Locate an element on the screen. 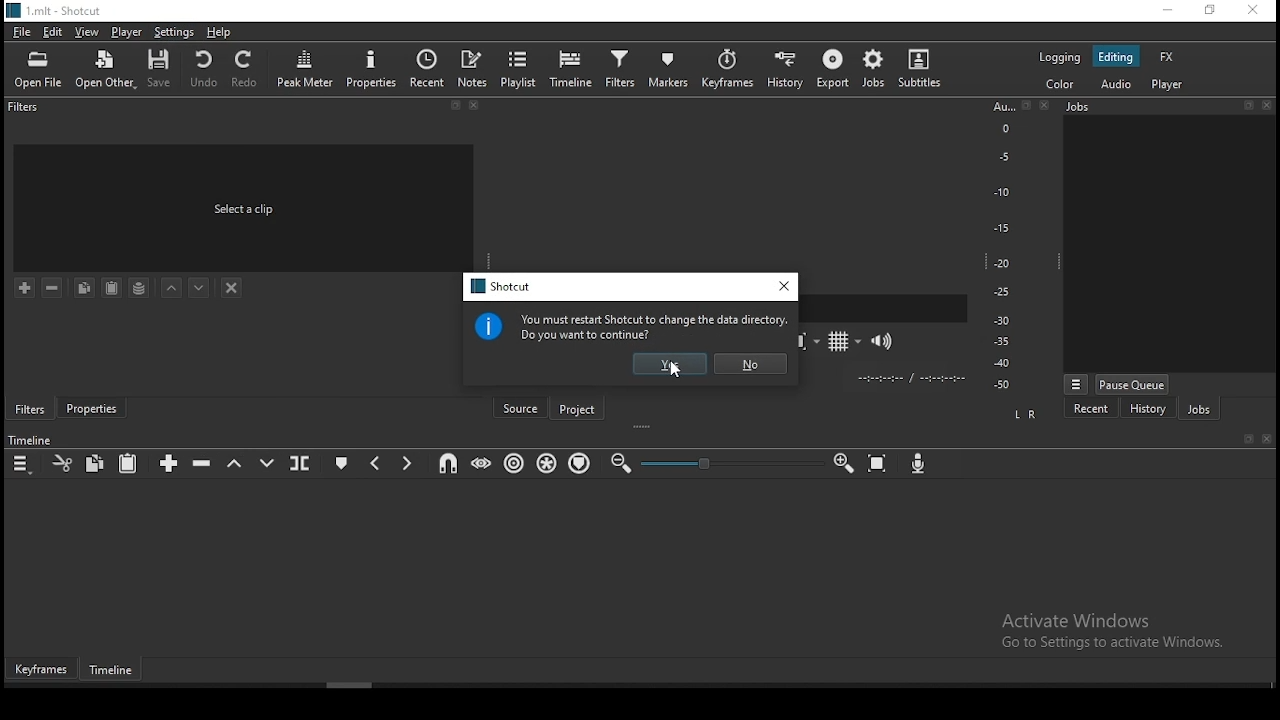  save a filter set is located at coordinates (139, 288).